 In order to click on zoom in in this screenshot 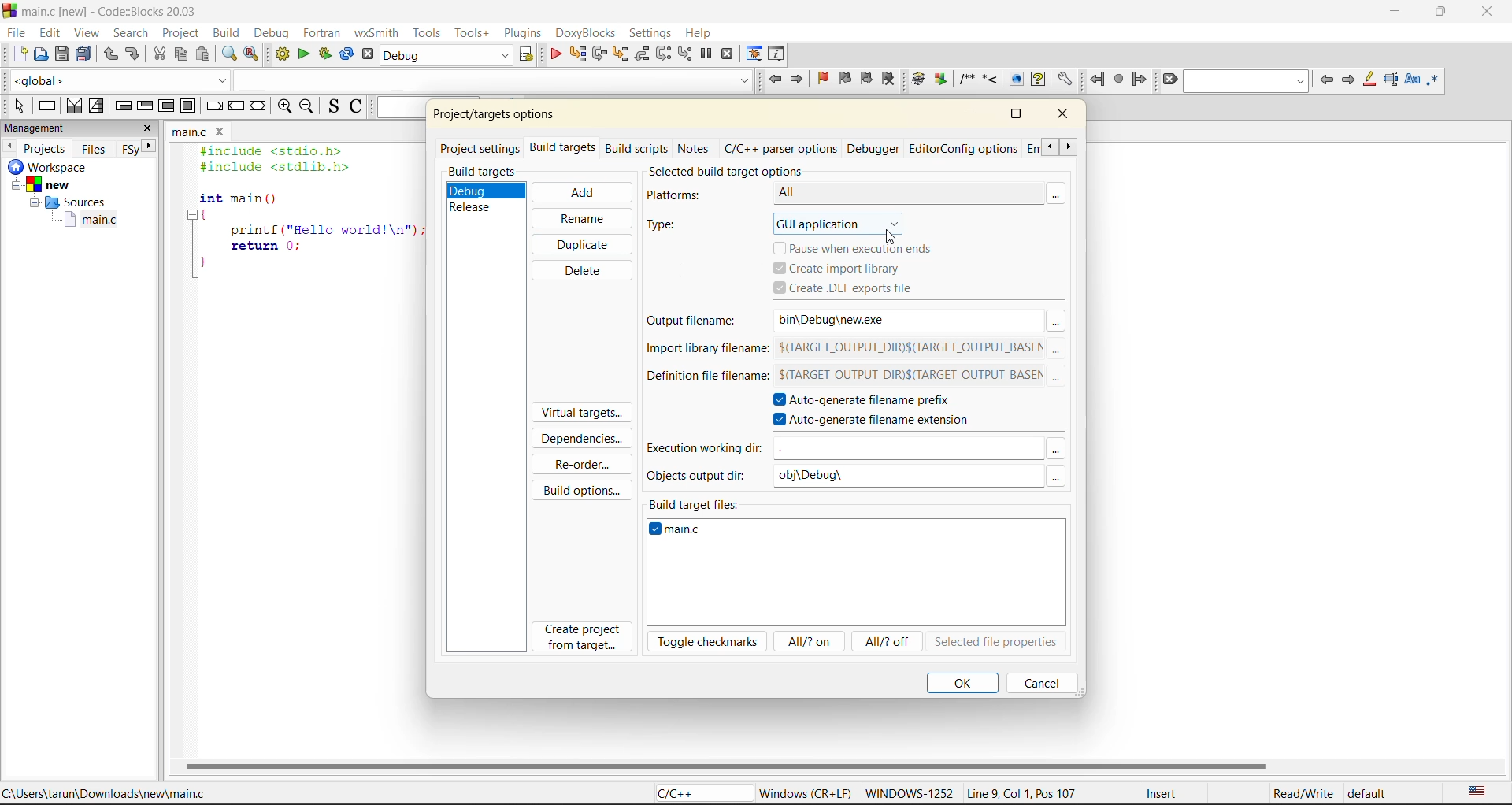, I will do `click(283, 107)`.